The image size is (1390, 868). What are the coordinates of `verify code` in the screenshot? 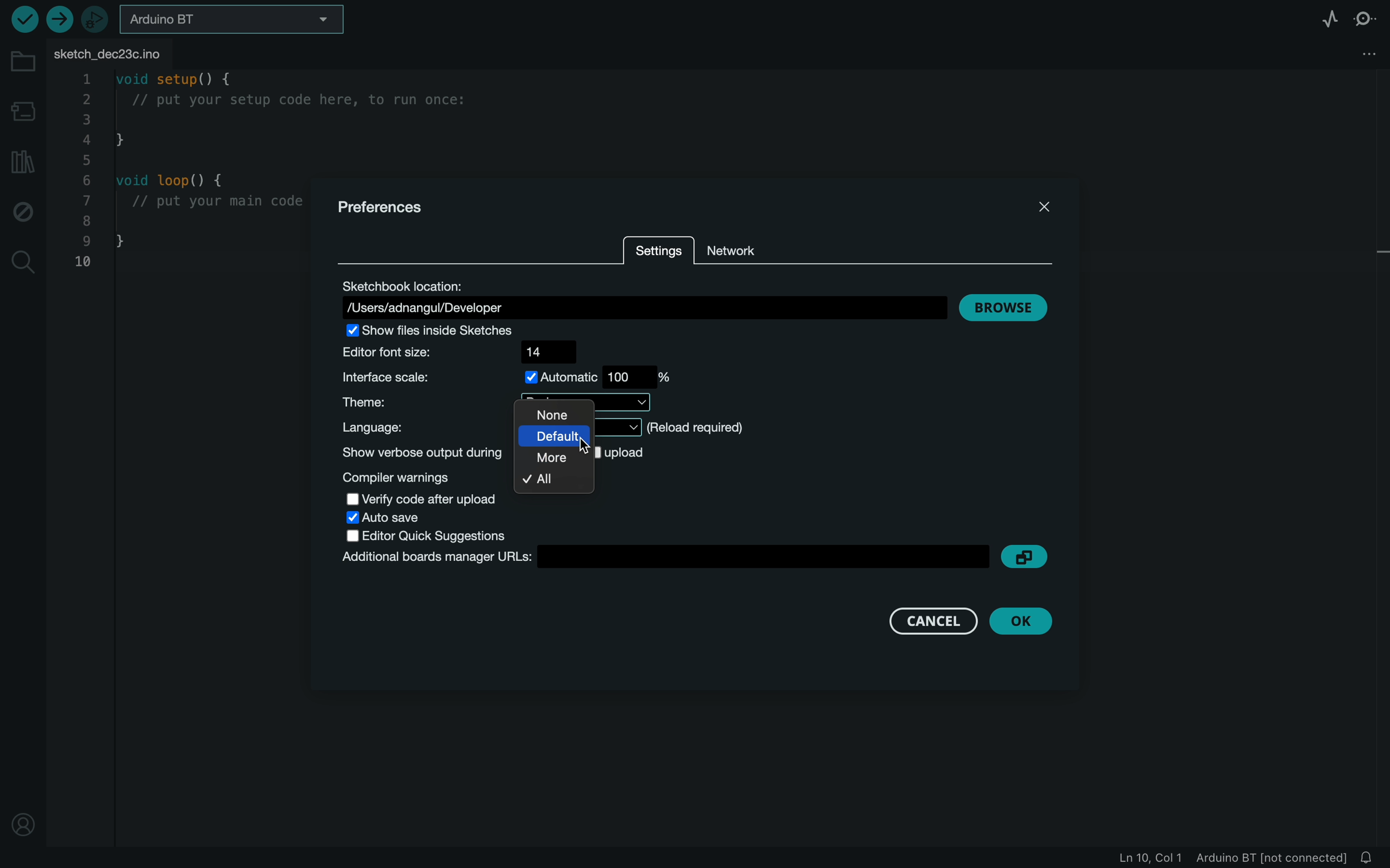 It's located at (418, 499).